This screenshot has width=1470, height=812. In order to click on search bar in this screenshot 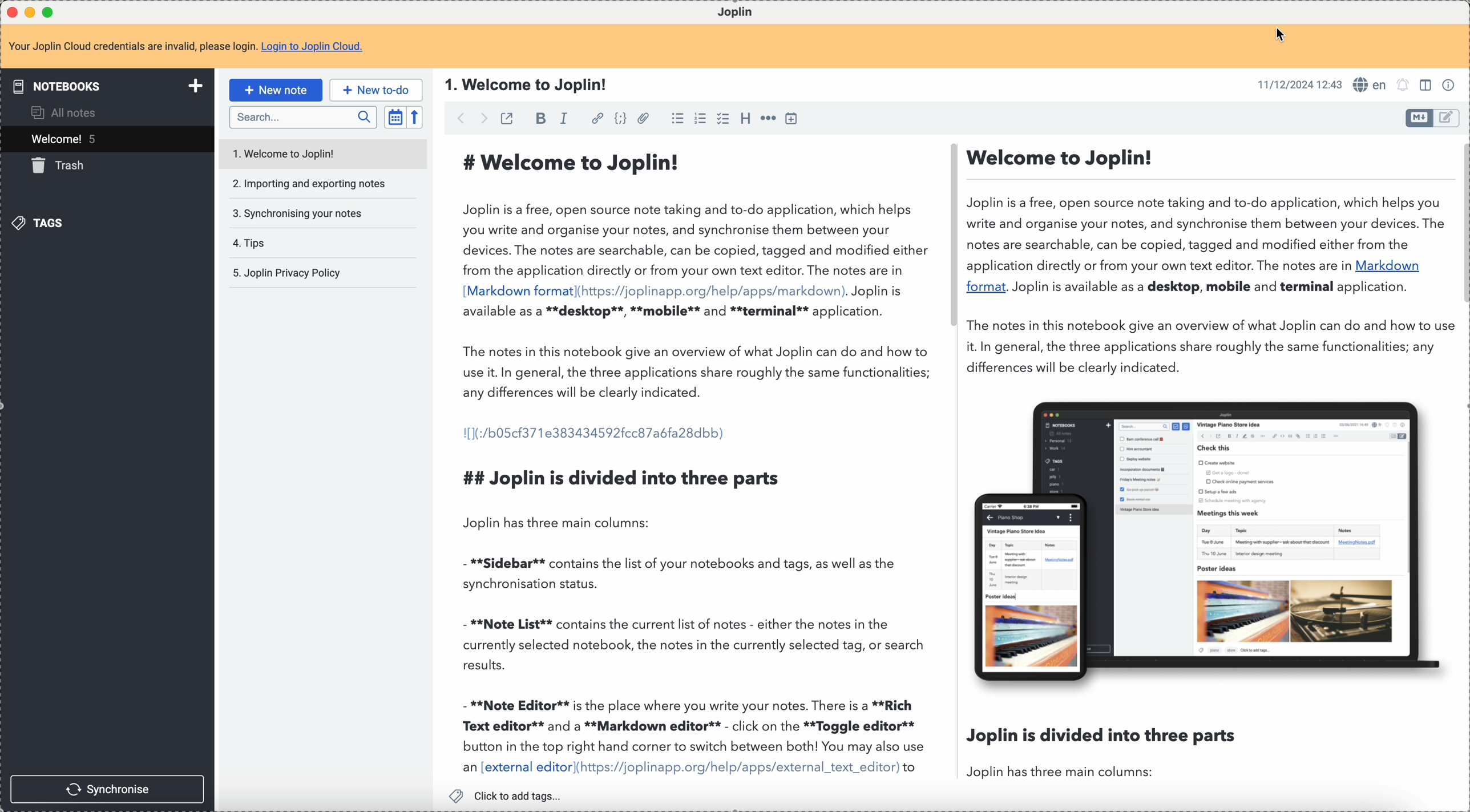, I will do `click(302, 118)`.